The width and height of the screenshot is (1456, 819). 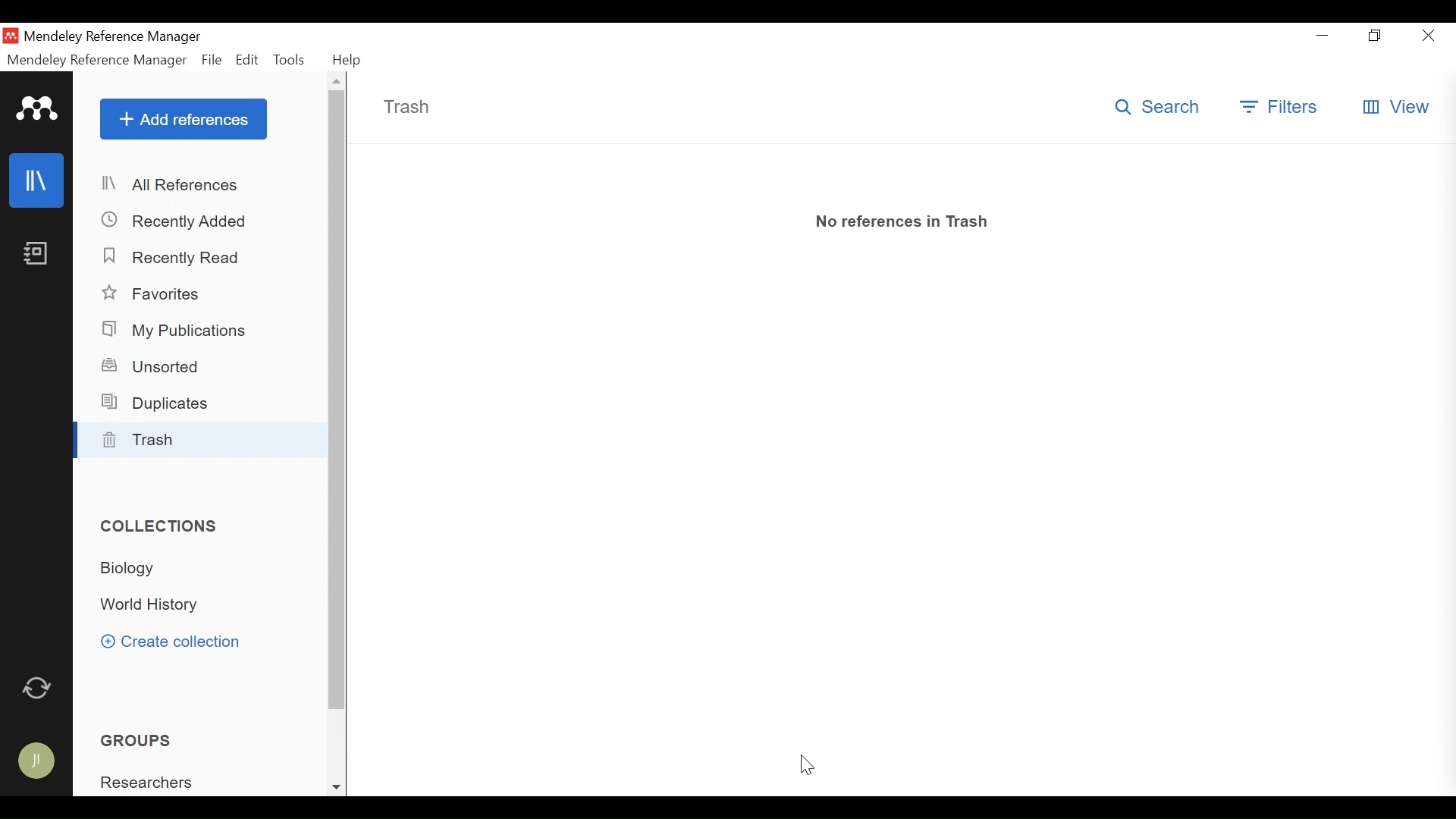 I want to click on Help, so click(x=345, y=59).